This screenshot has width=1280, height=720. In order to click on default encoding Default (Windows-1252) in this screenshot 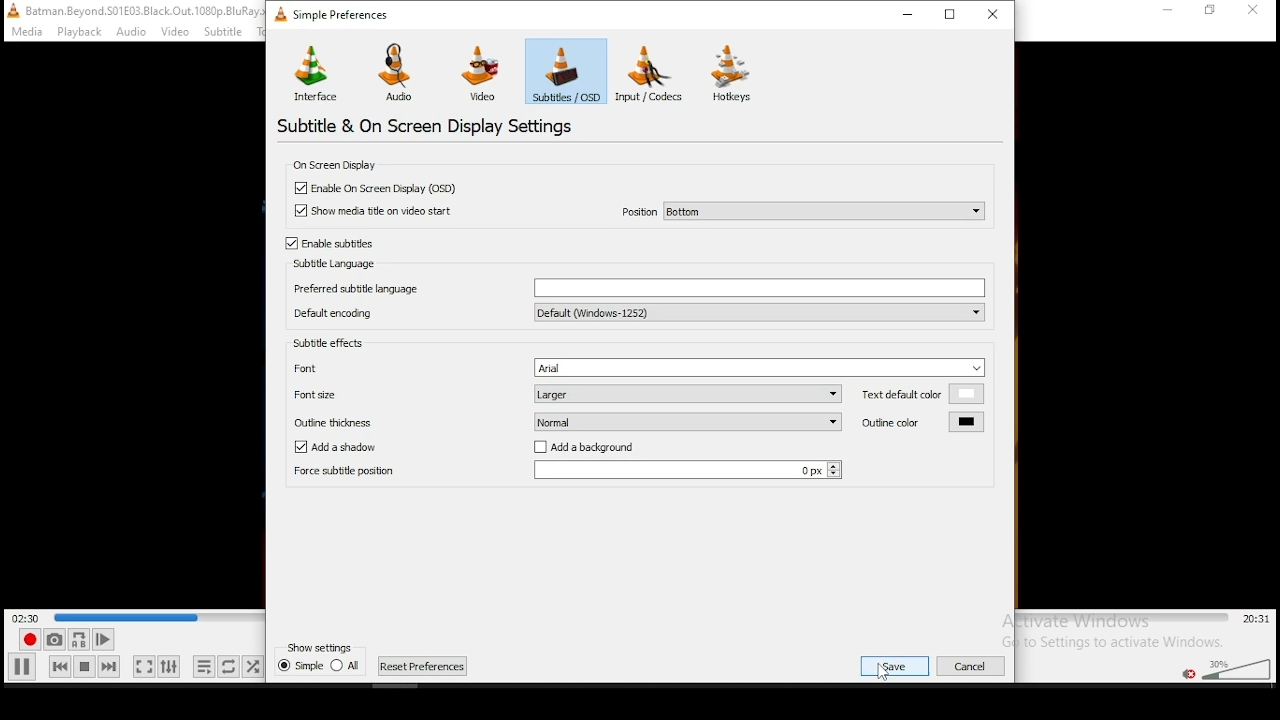, I will do `click(638, 312)`.